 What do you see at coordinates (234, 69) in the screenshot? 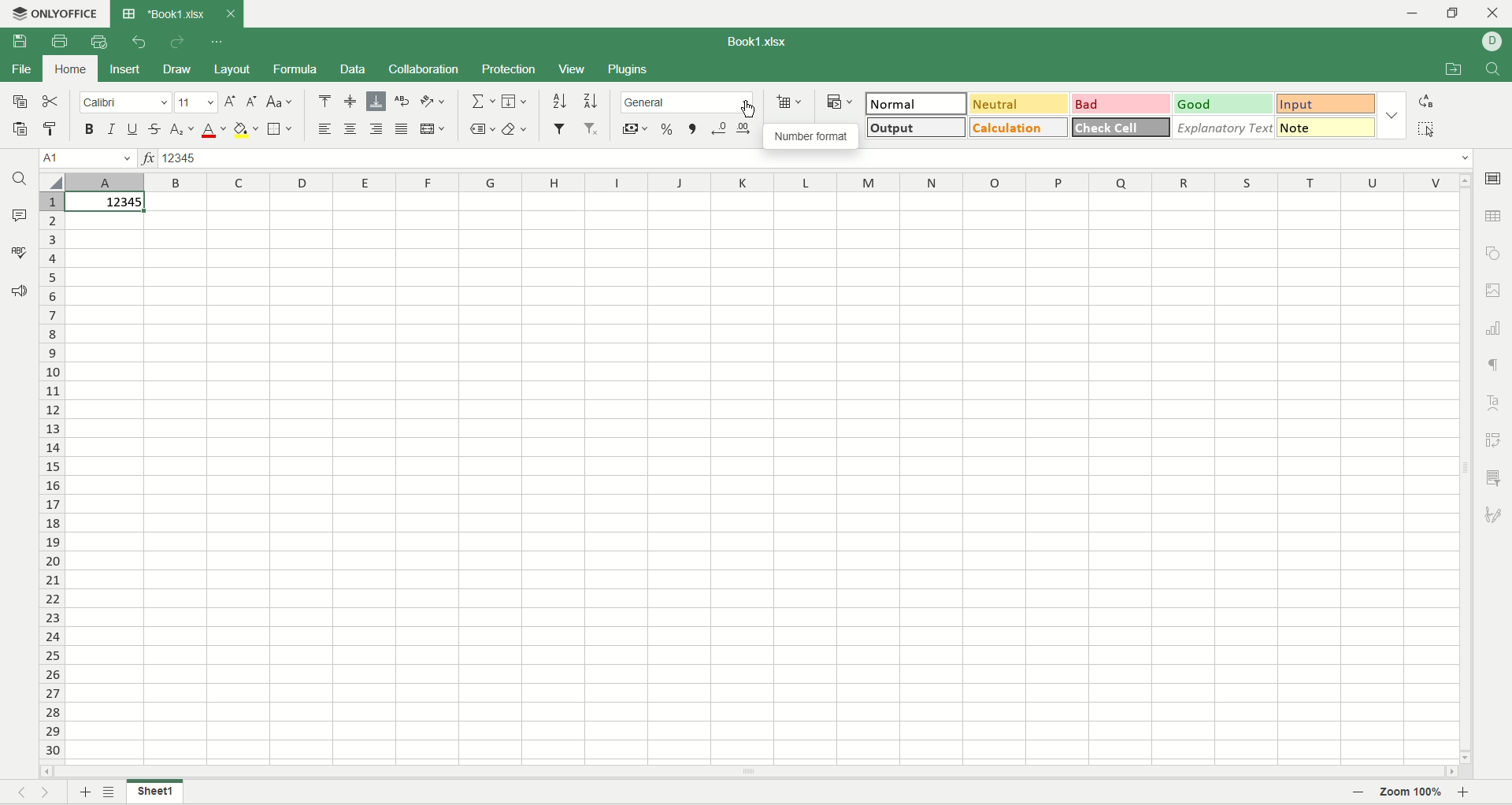
I see `layout` at bounding box center [234, 69].